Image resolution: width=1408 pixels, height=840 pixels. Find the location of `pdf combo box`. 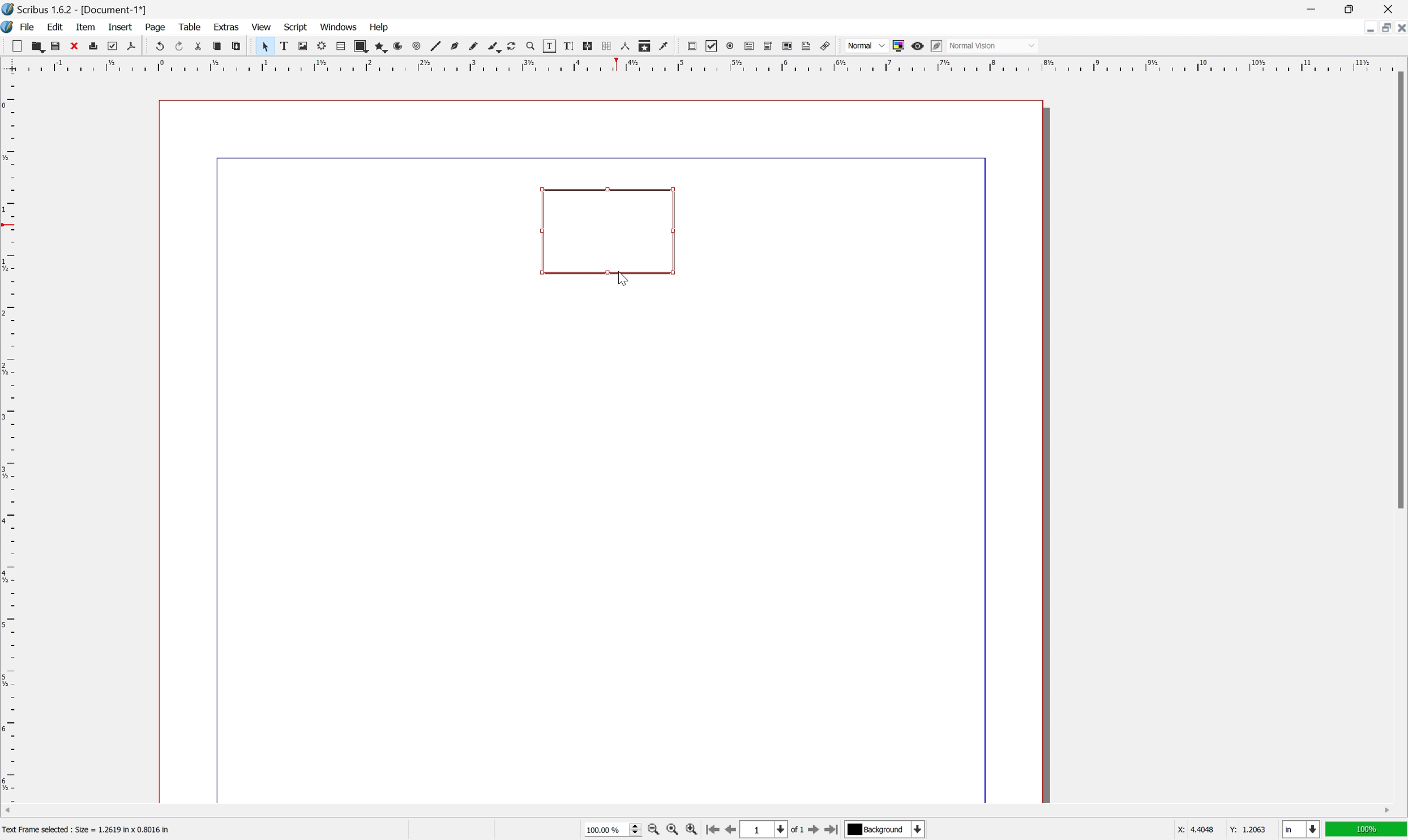

pdf combo box is located at coordinates (769, 45).